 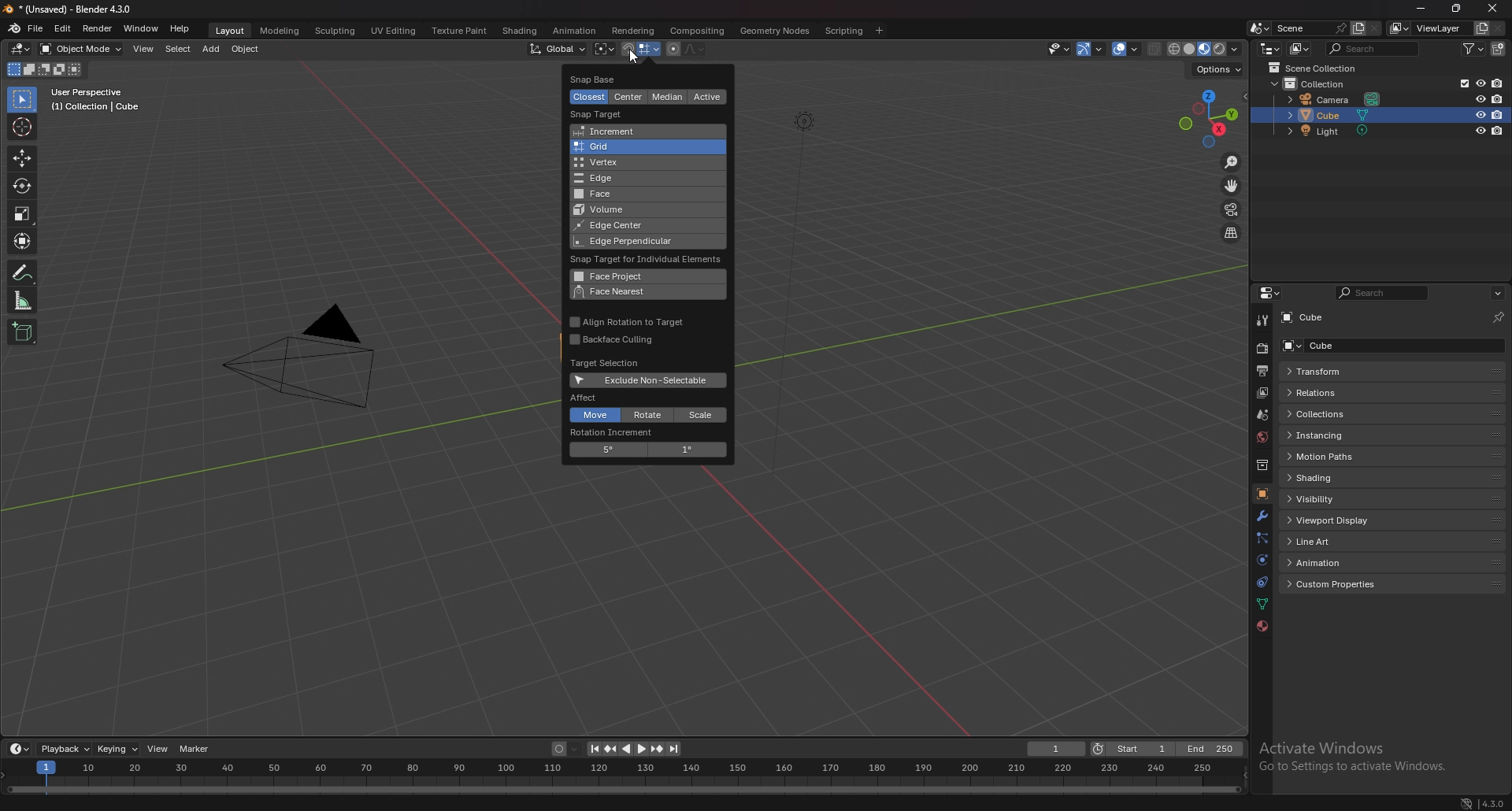 What do you see at coordinates (593, 416) in the screenshot?
I see `move` at bounding box center [593, 416].